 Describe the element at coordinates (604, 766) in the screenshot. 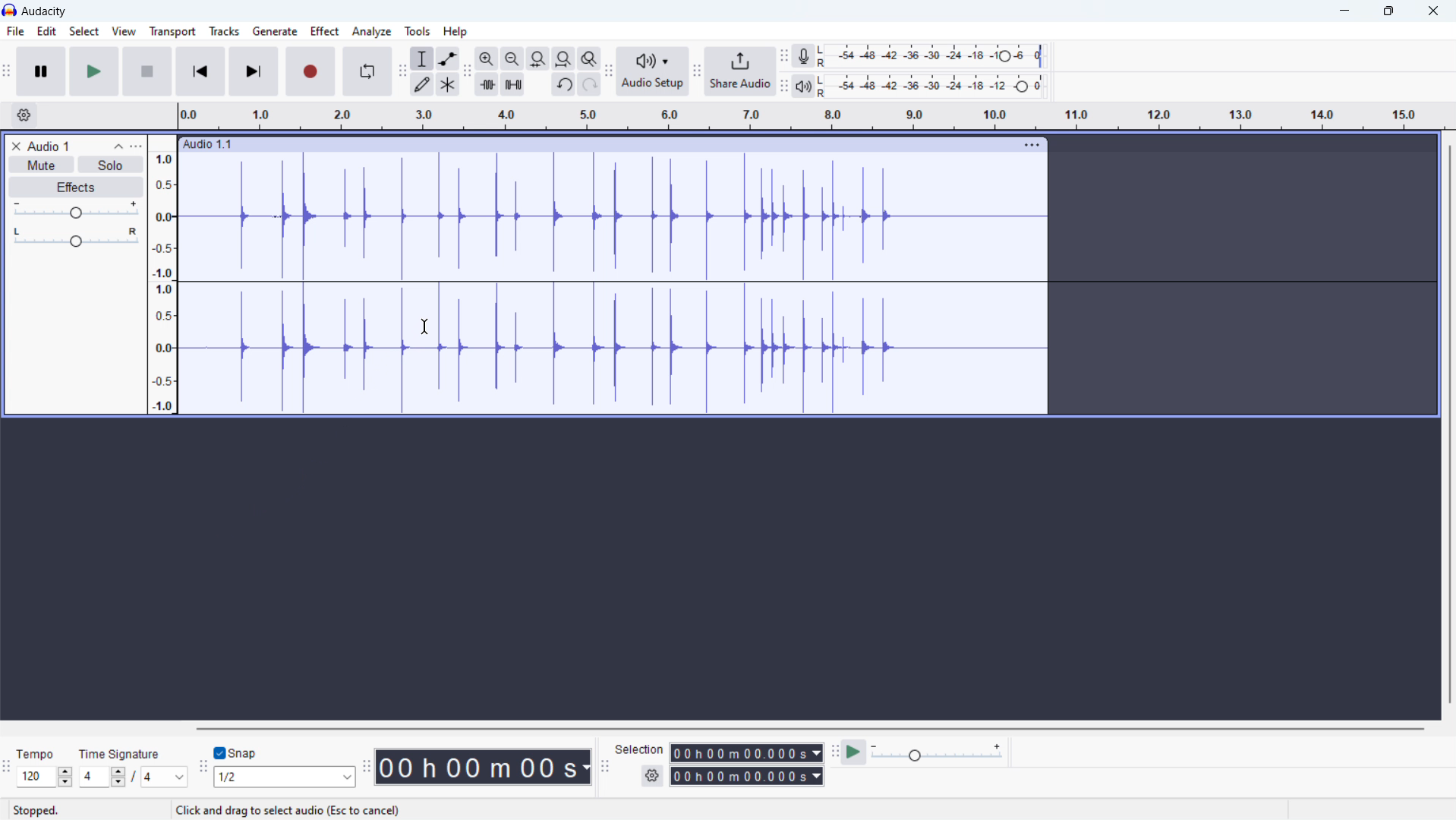

I see `selection toolbar` at that location.